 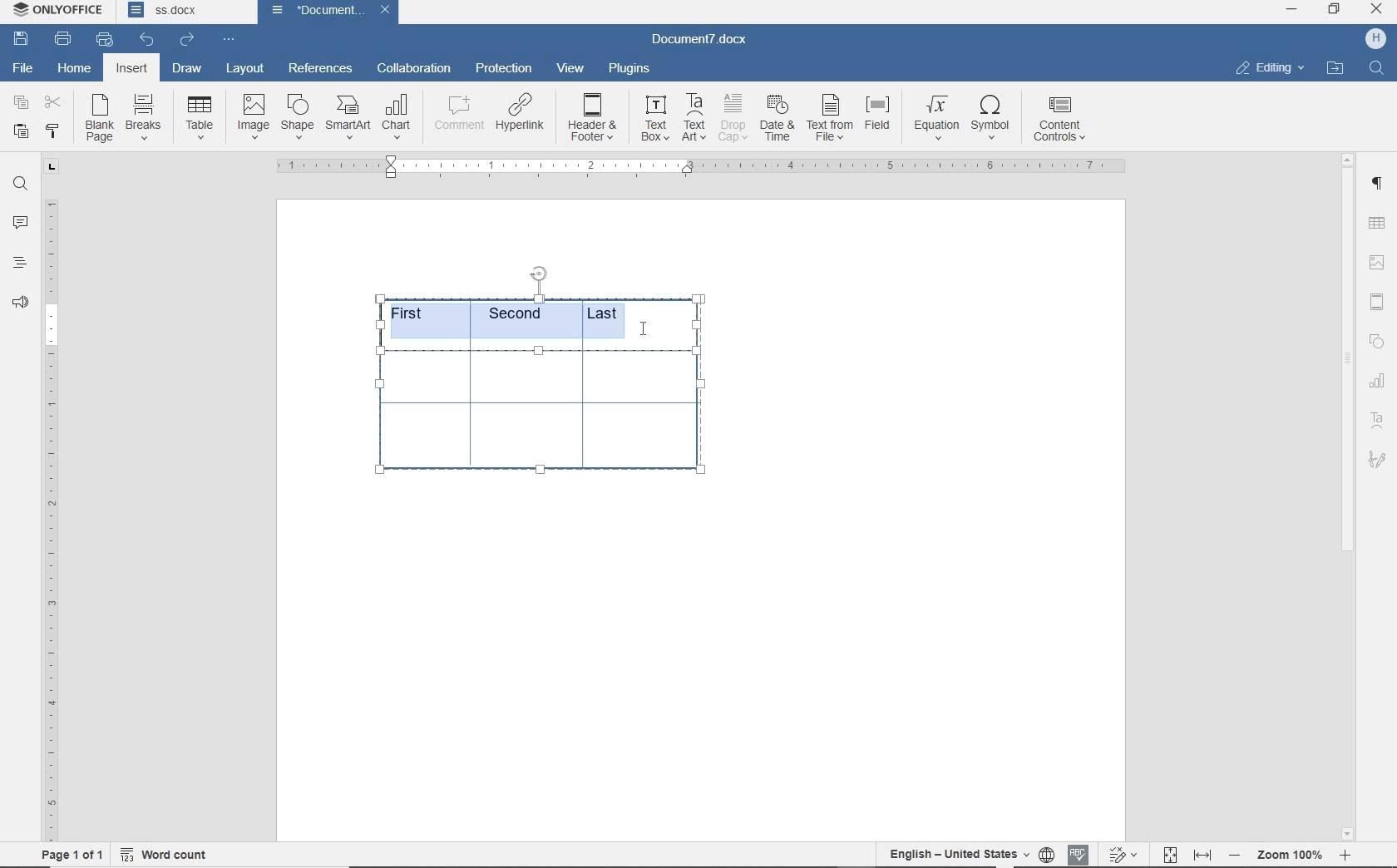 I want to click on scroll down, so click(x=1349, y=831).